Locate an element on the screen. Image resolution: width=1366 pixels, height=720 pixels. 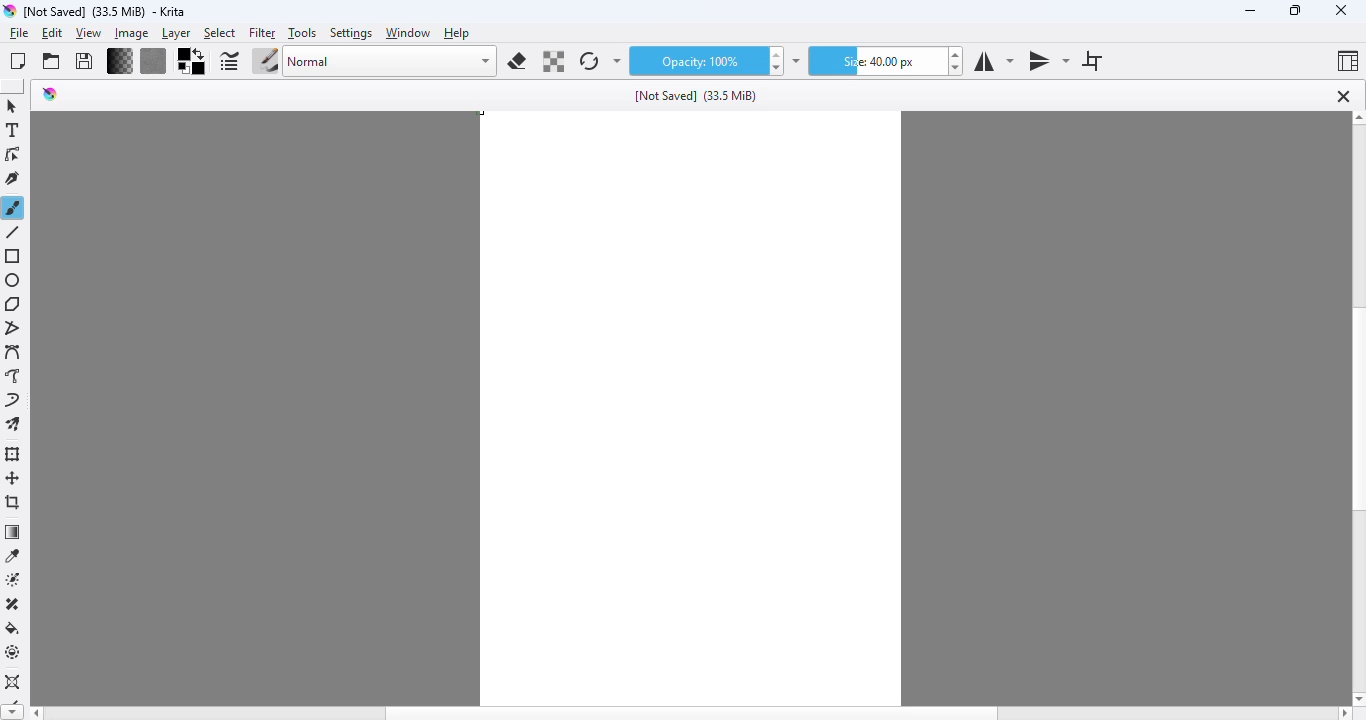
logo is located at coordinates (50, 93).